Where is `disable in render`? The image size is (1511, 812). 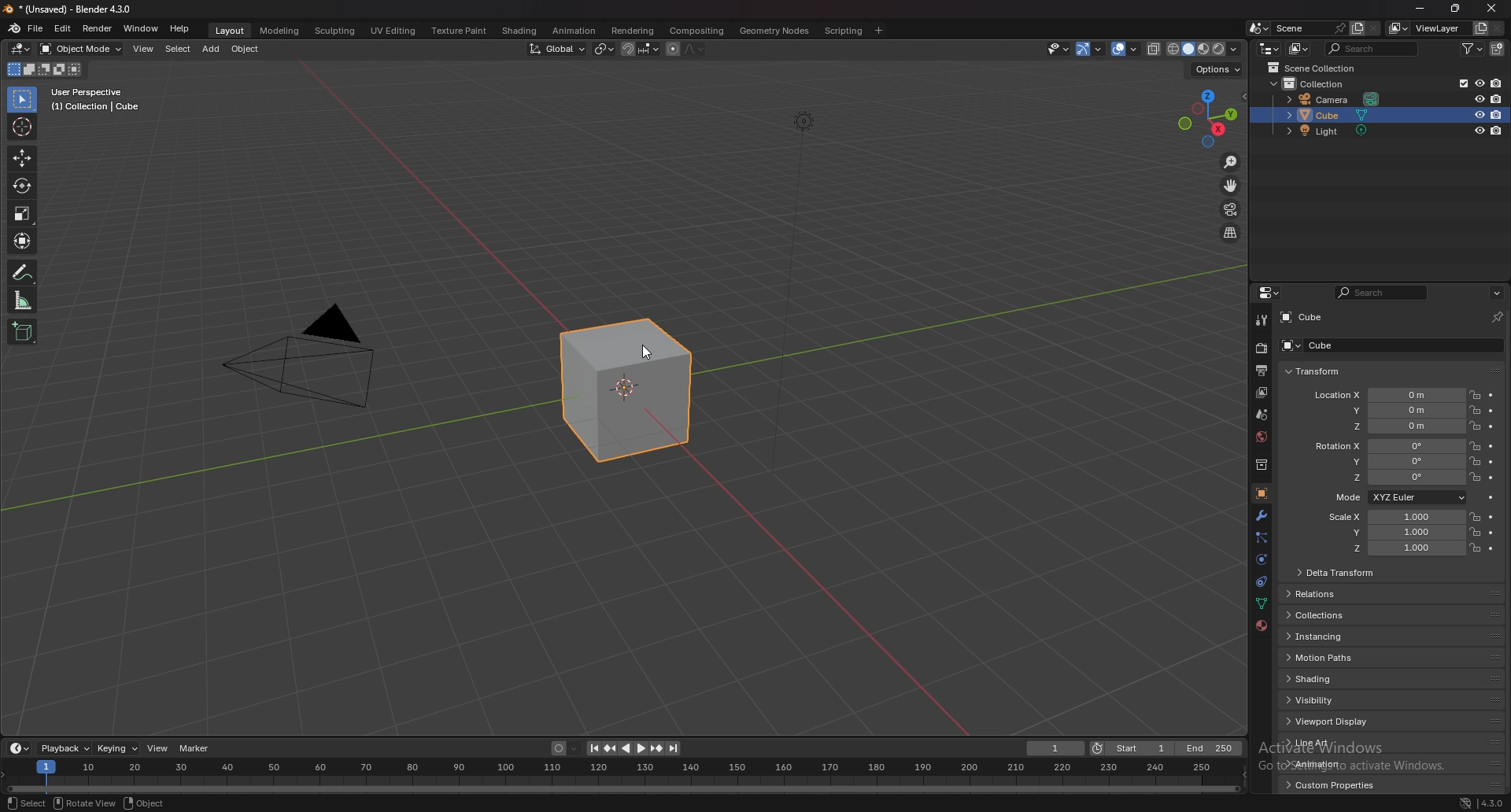
disable in render is located at coordinates (1495, 83).